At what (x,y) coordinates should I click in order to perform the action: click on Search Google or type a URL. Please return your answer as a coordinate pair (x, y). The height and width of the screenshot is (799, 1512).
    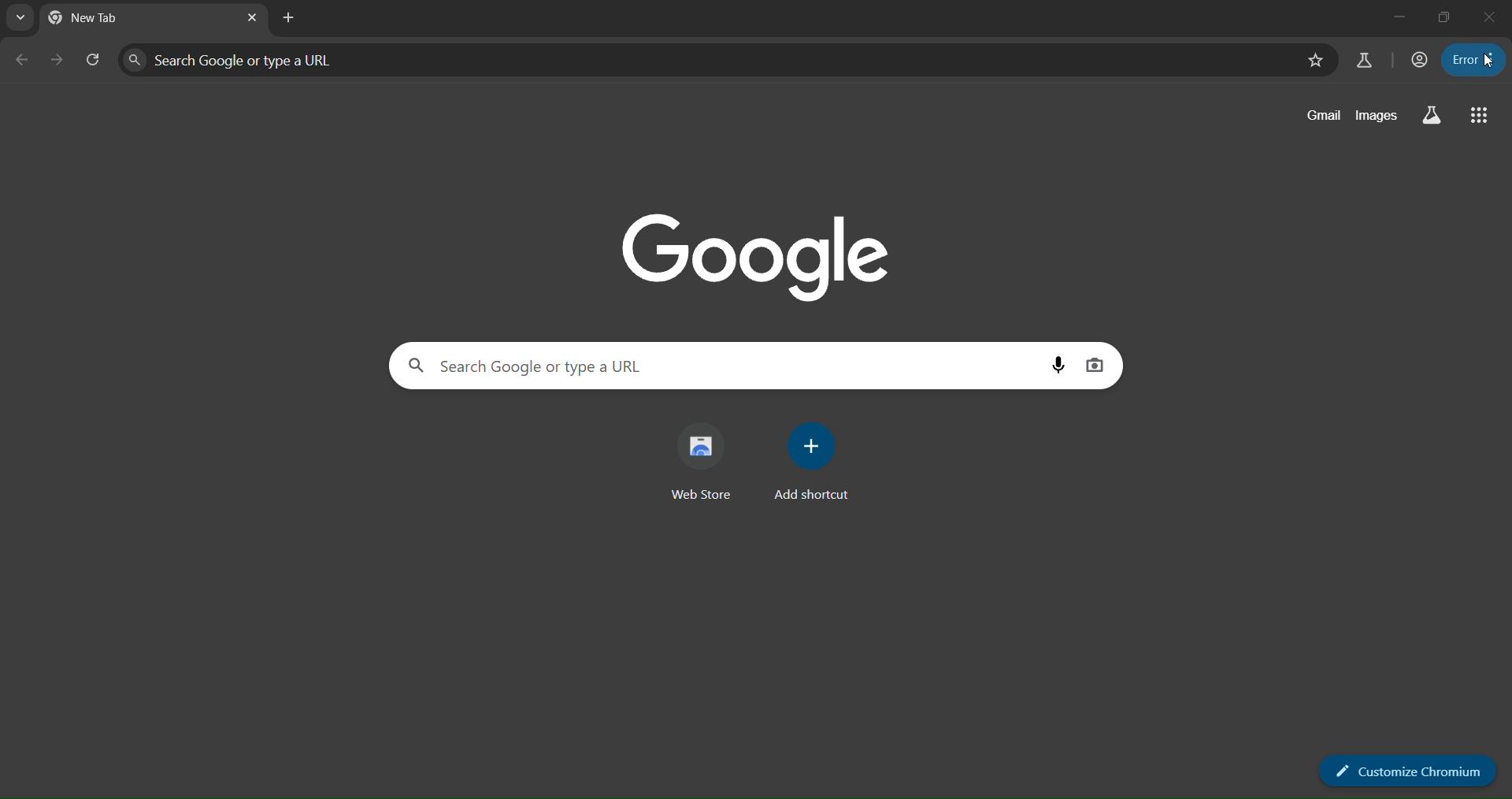
    Looking at the image, I should click on (719, 366).